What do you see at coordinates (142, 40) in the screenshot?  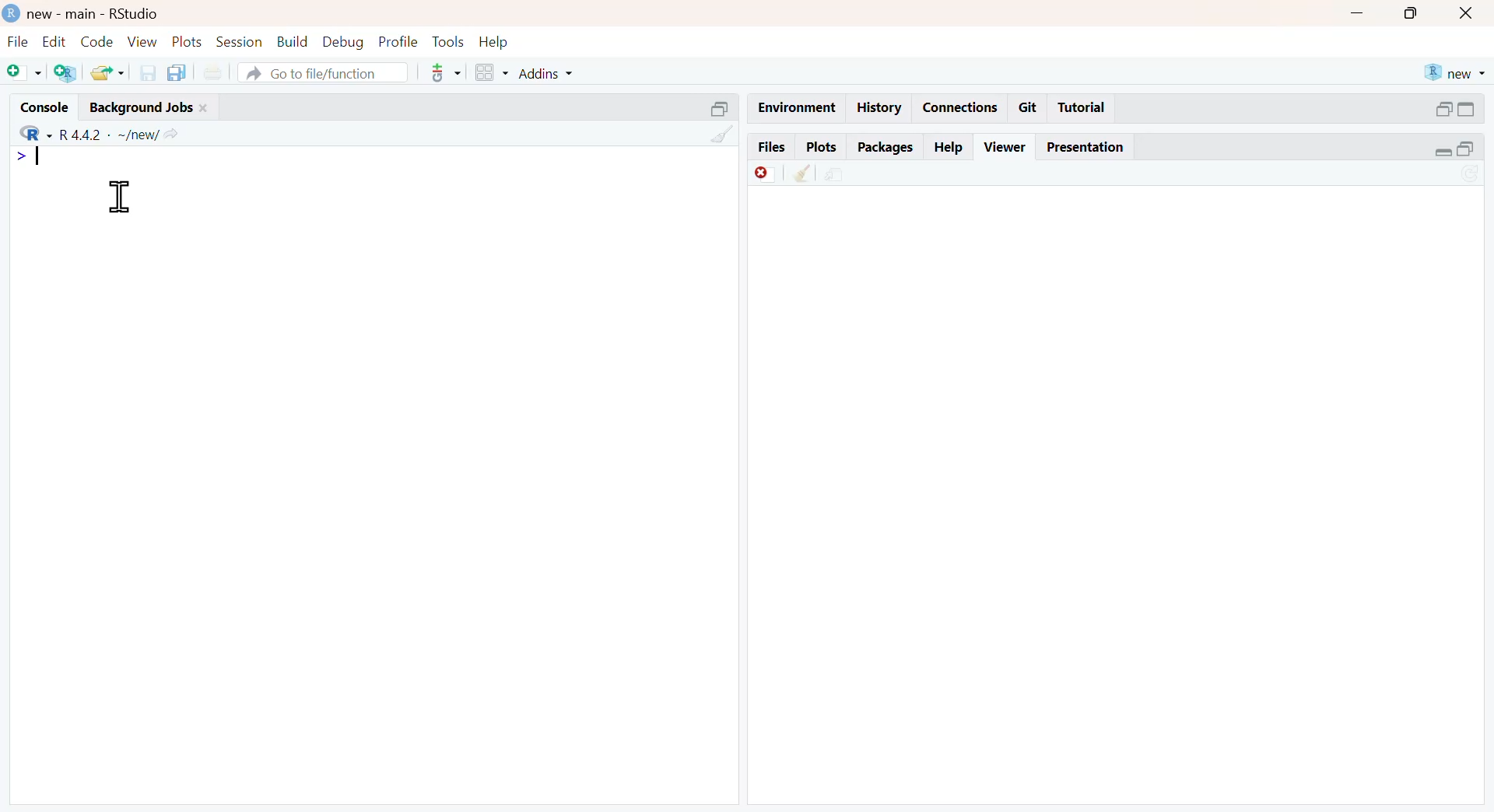 I see `view` at bounding box center [142, 40].